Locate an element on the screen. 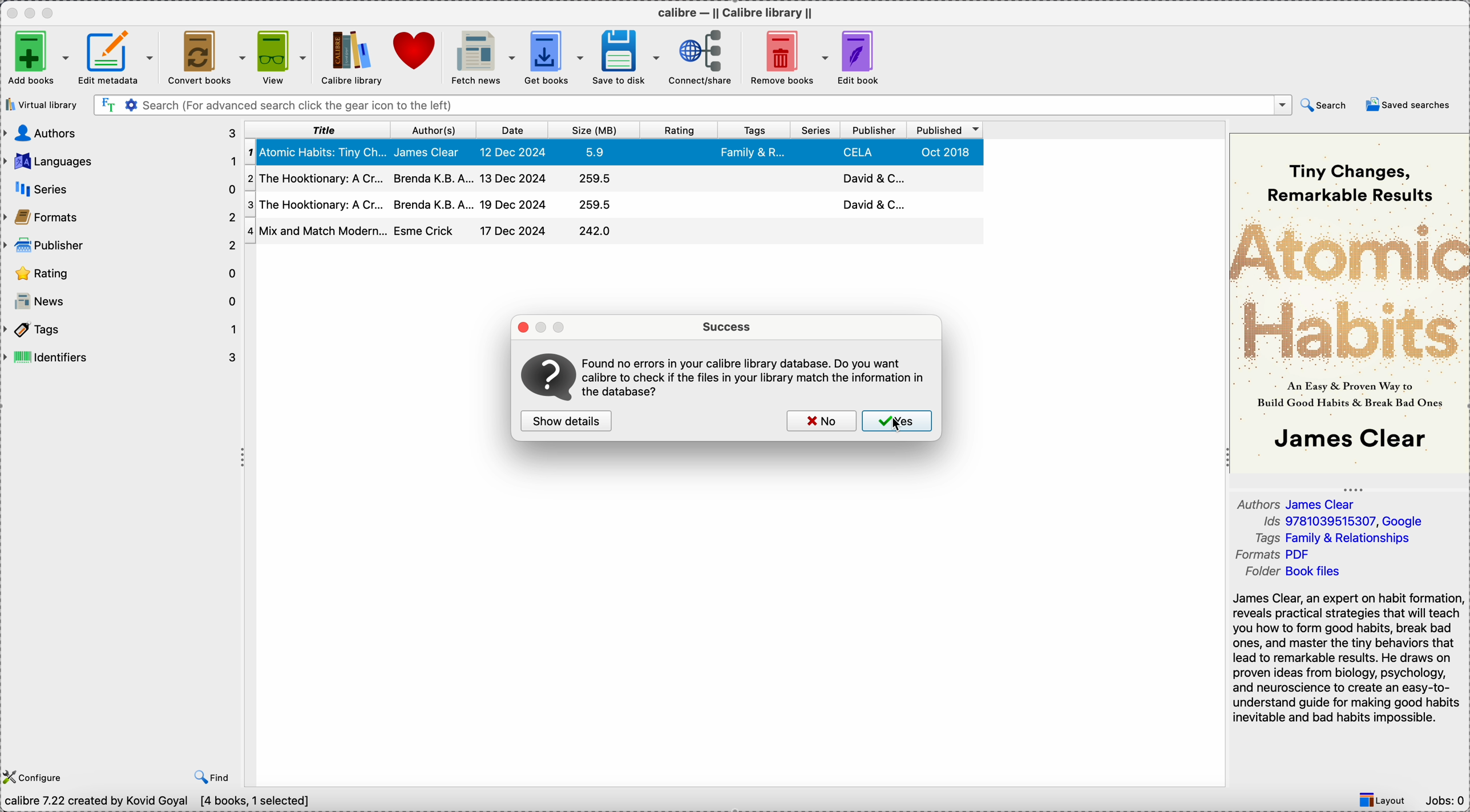  Folder Book files is located at coordinates (1295, 573).